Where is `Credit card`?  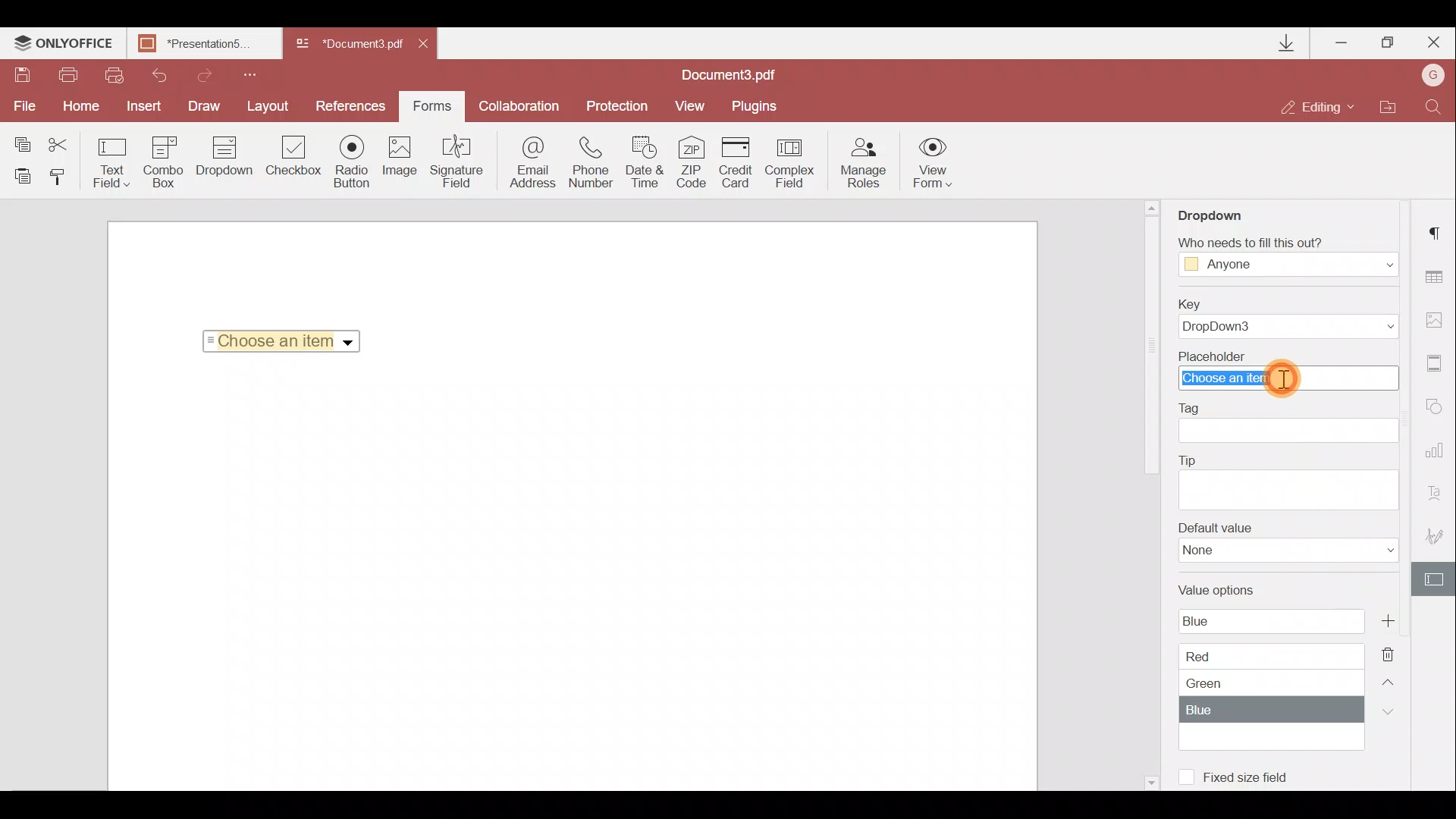 Credit card is located at coordinates (738, 161).